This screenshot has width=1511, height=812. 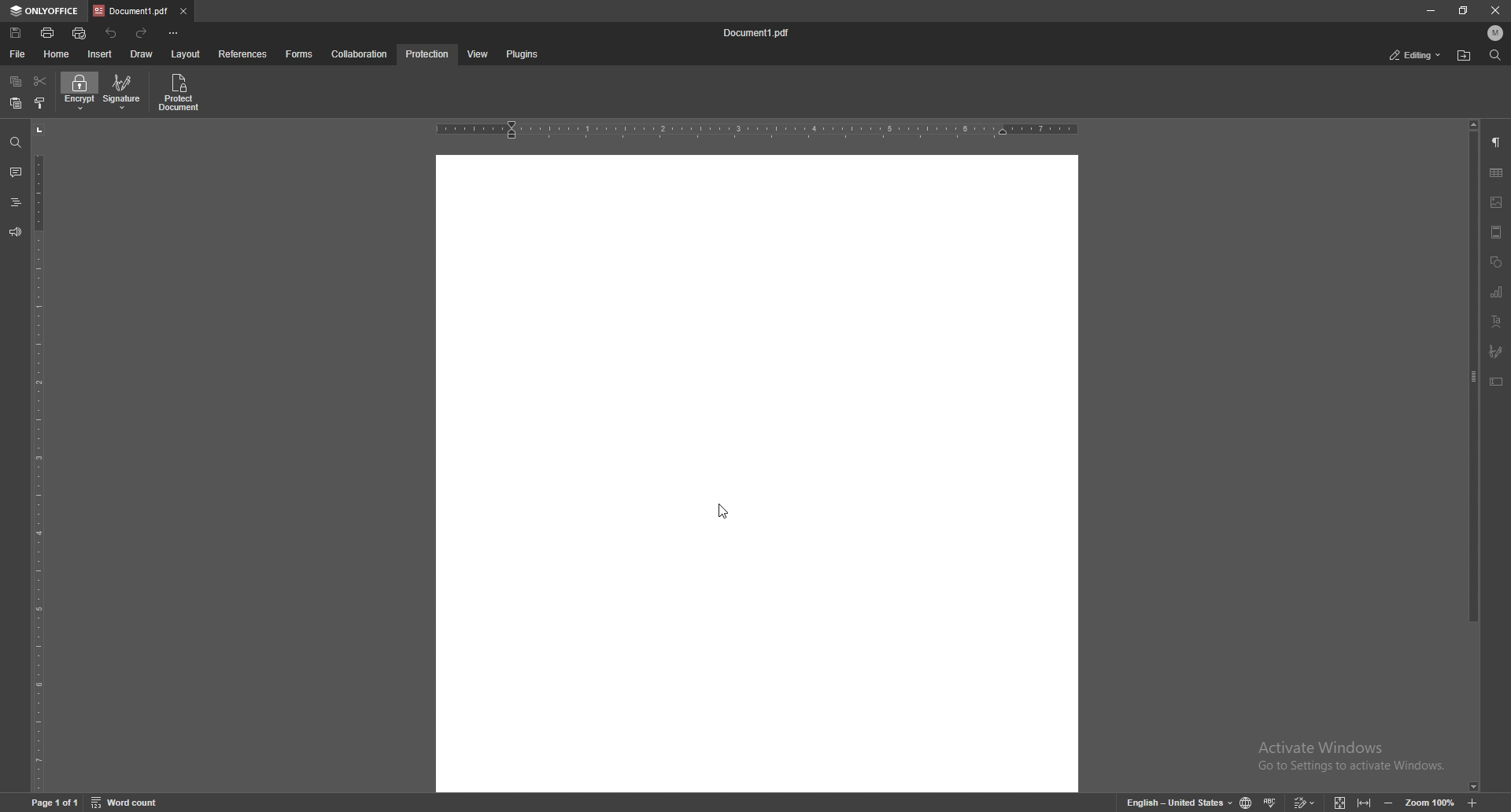 What do you see at coordinates (15, 82) in the screenshot?
I see `copy` at bounding box center [15, 82].